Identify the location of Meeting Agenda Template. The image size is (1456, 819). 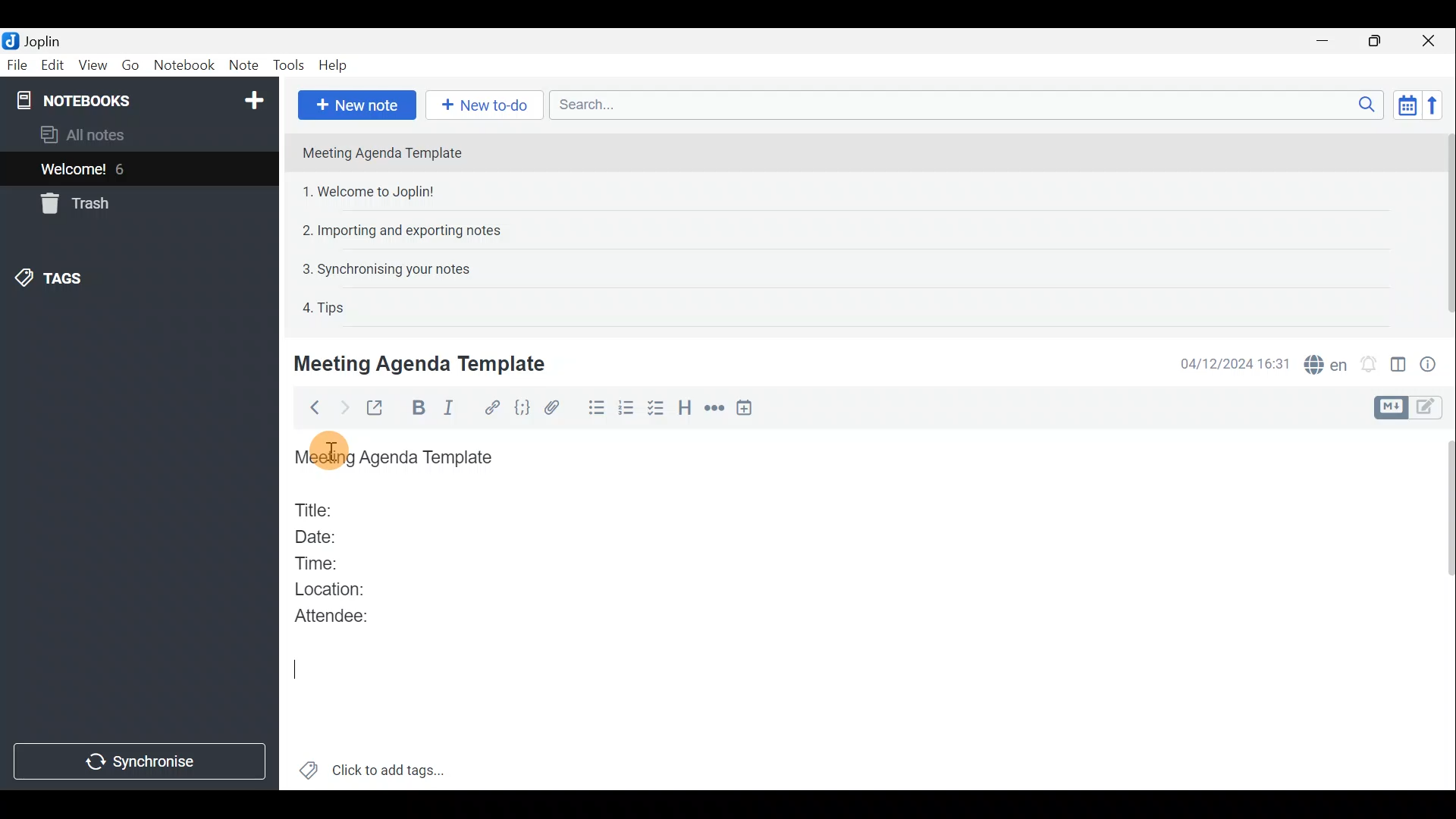
(398, 458).